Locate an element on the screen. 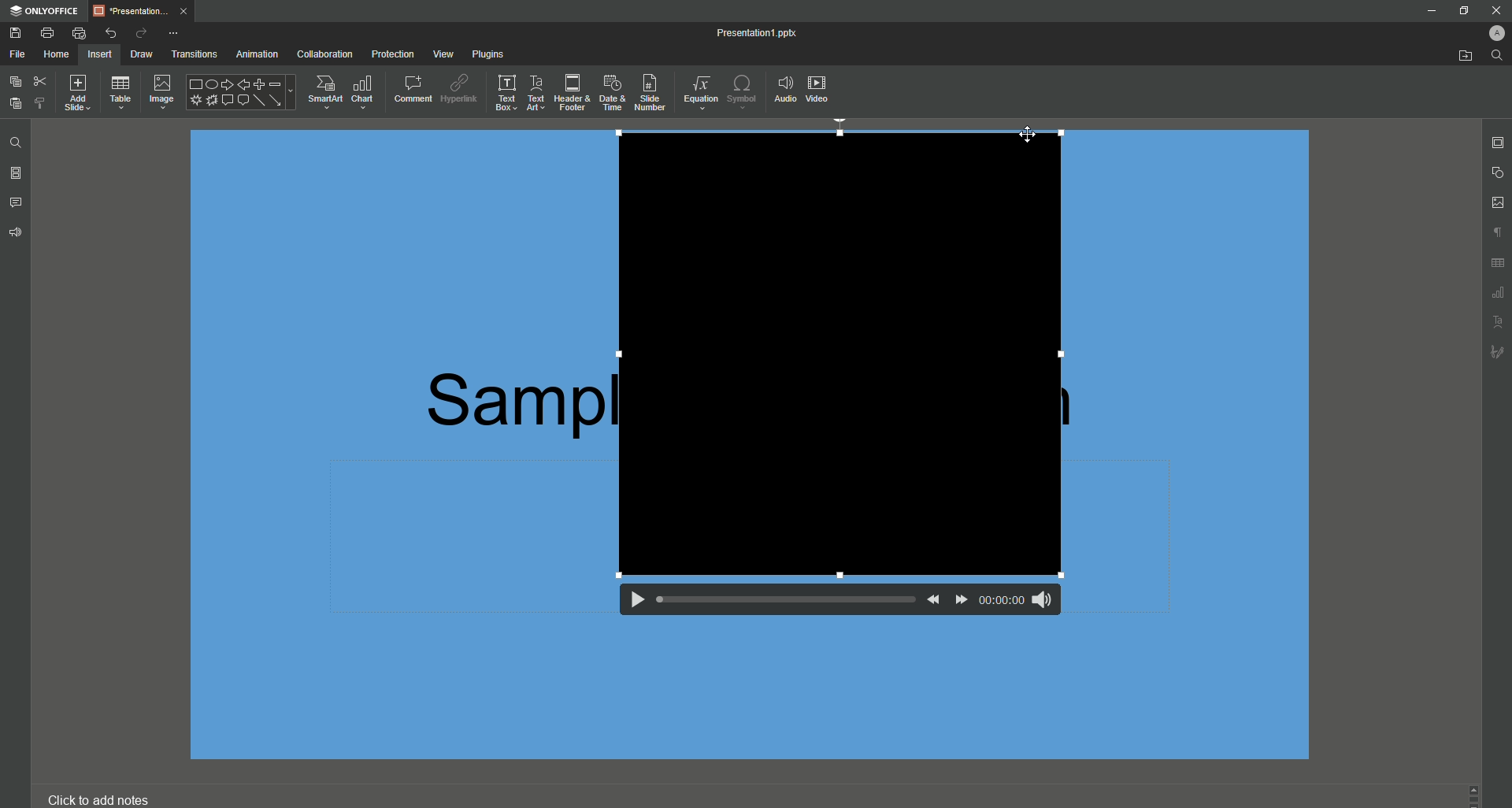  Header and Footer is located at coordinates (572, 92).